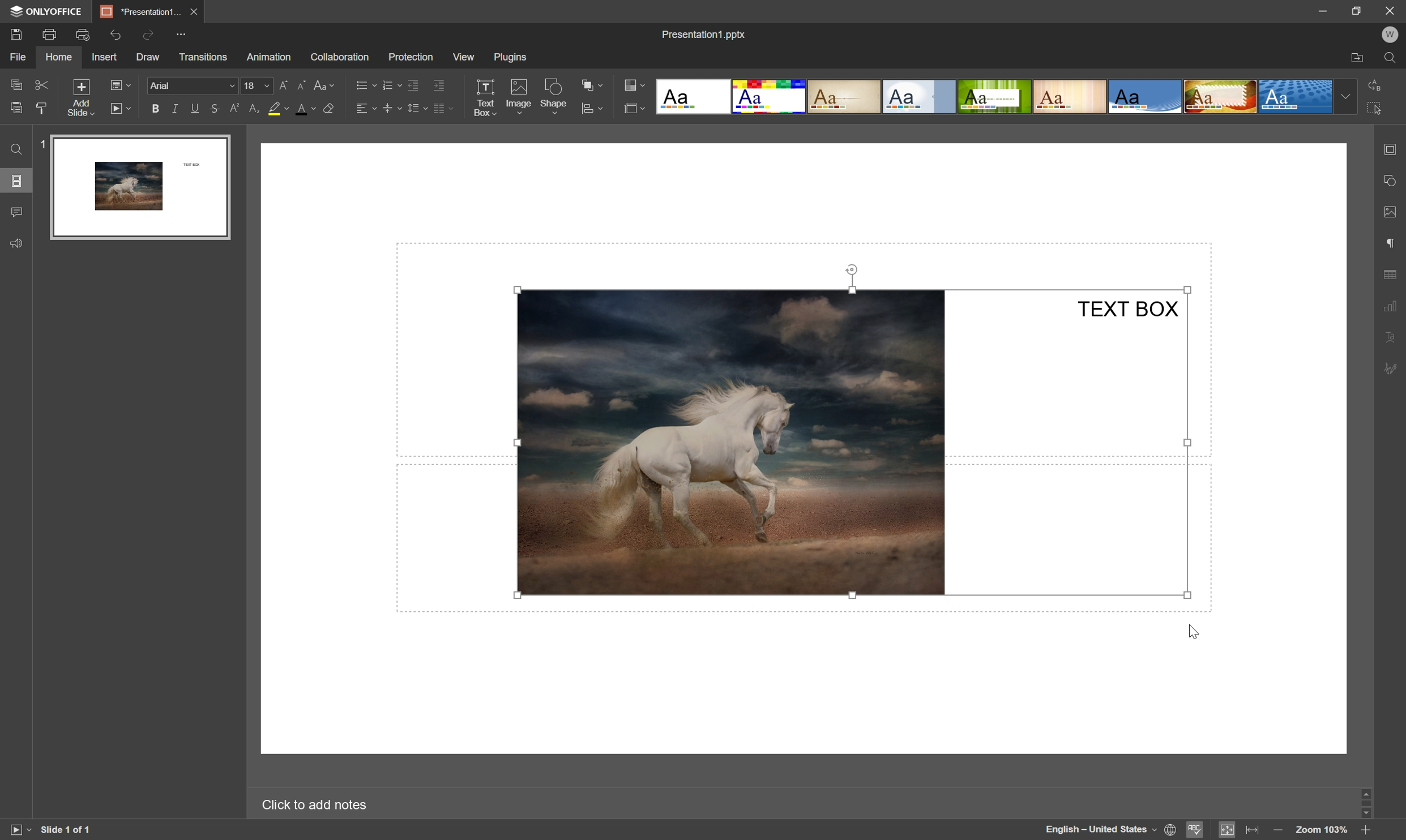 The width and height of the screenshot is (1406, 840). I want to click on select slide size, so click(635, 109).